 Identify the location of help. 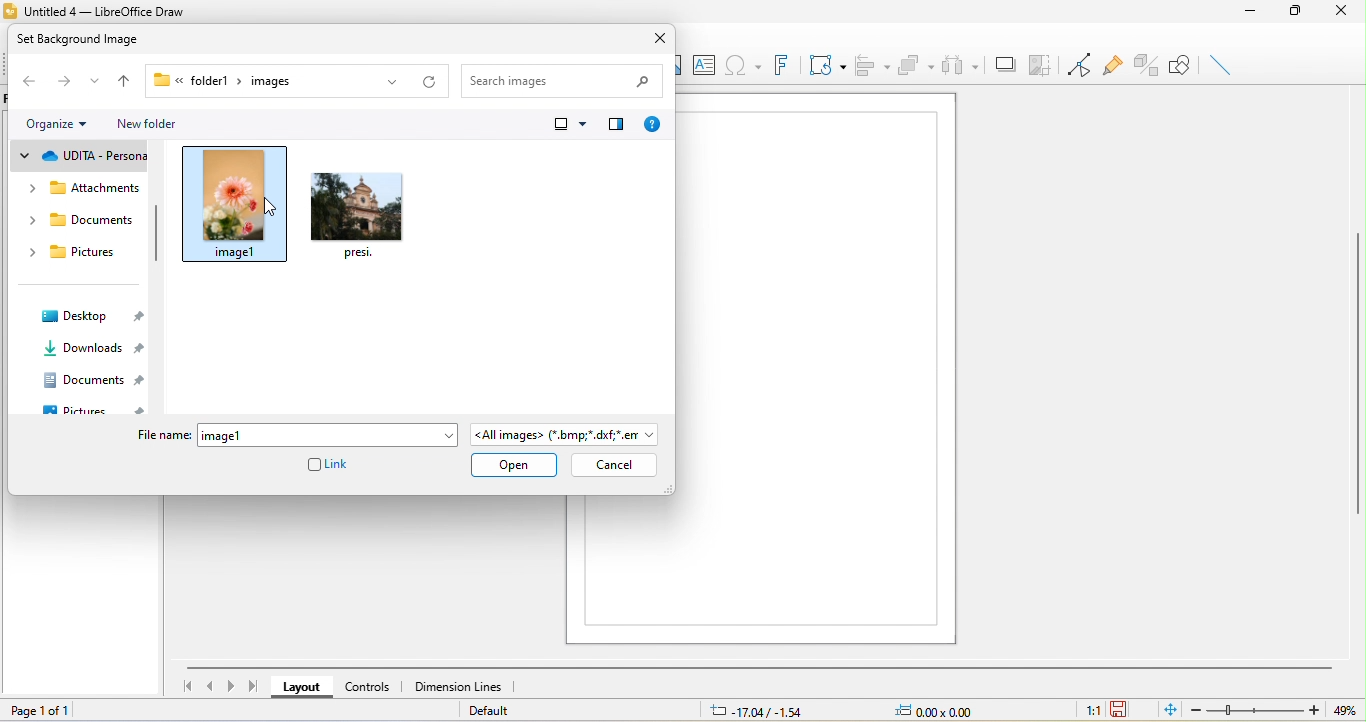
(652, 129).